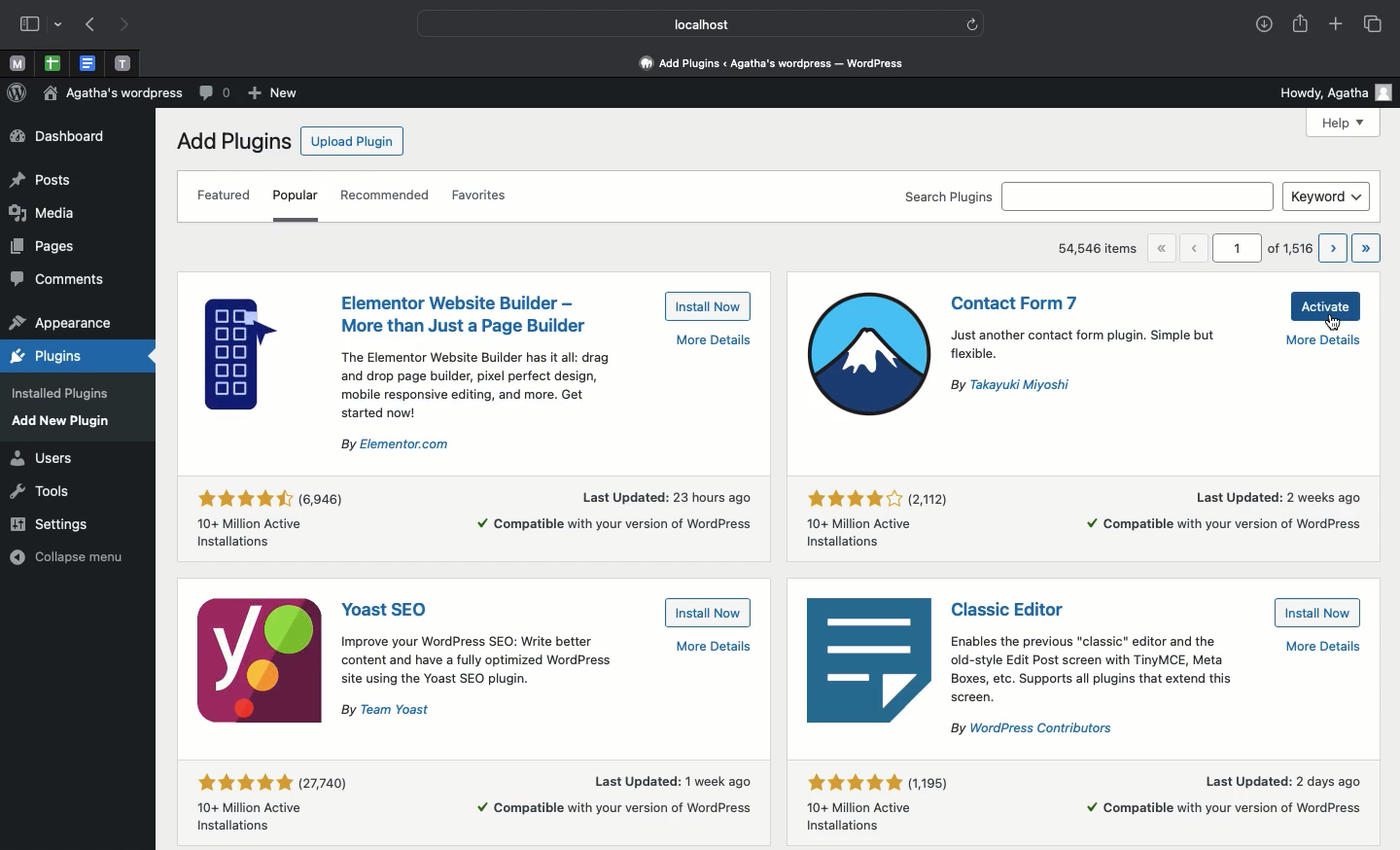 This screenshot has height=850, width=1400. What do you see at coordinates (265, 353) in the screenshot?
I see `Icon` at bounding box center [265, 353].